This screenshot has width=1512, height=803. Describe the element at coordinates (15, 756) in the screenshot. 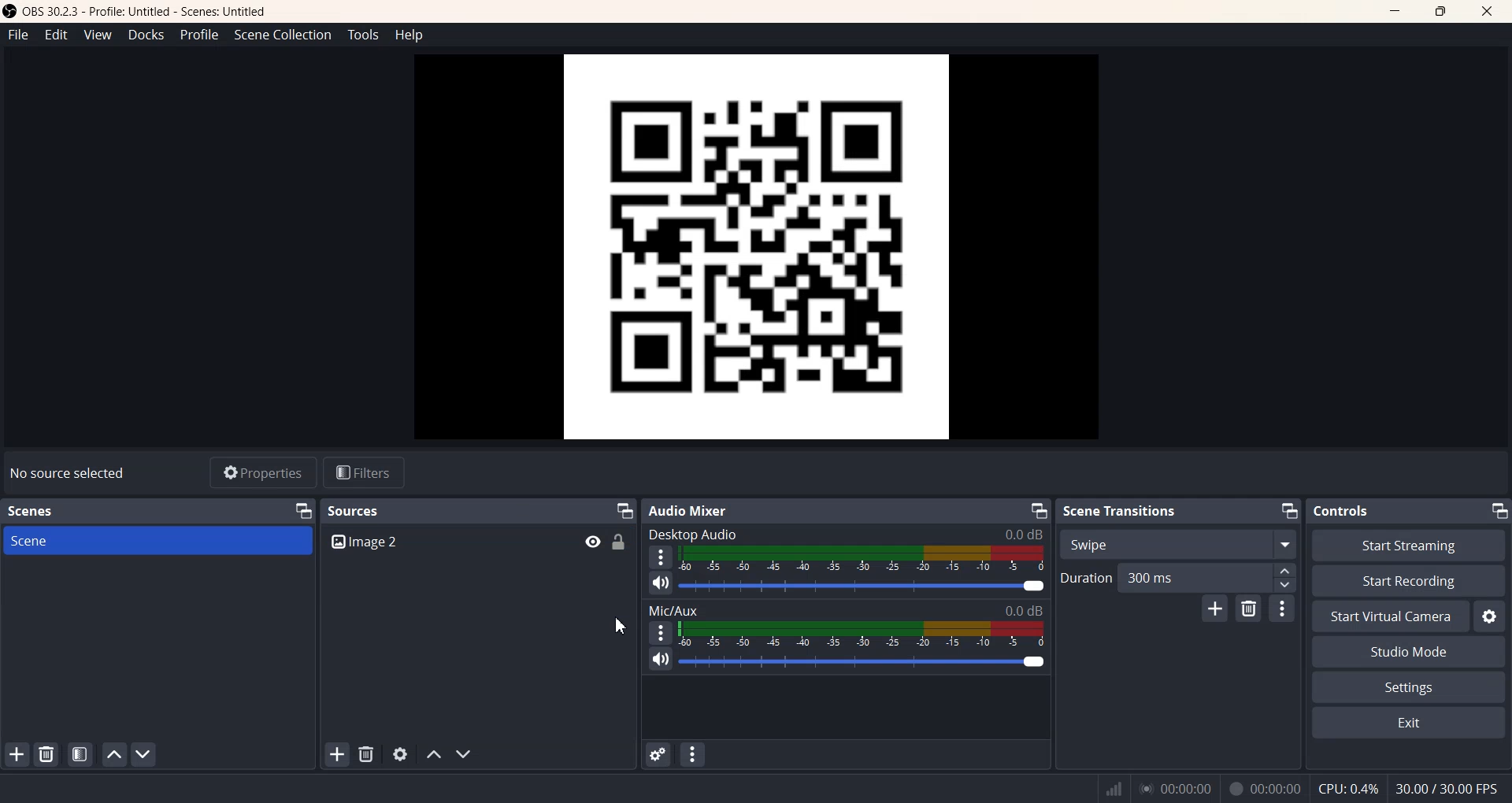

I see `Add Scene` at that location.